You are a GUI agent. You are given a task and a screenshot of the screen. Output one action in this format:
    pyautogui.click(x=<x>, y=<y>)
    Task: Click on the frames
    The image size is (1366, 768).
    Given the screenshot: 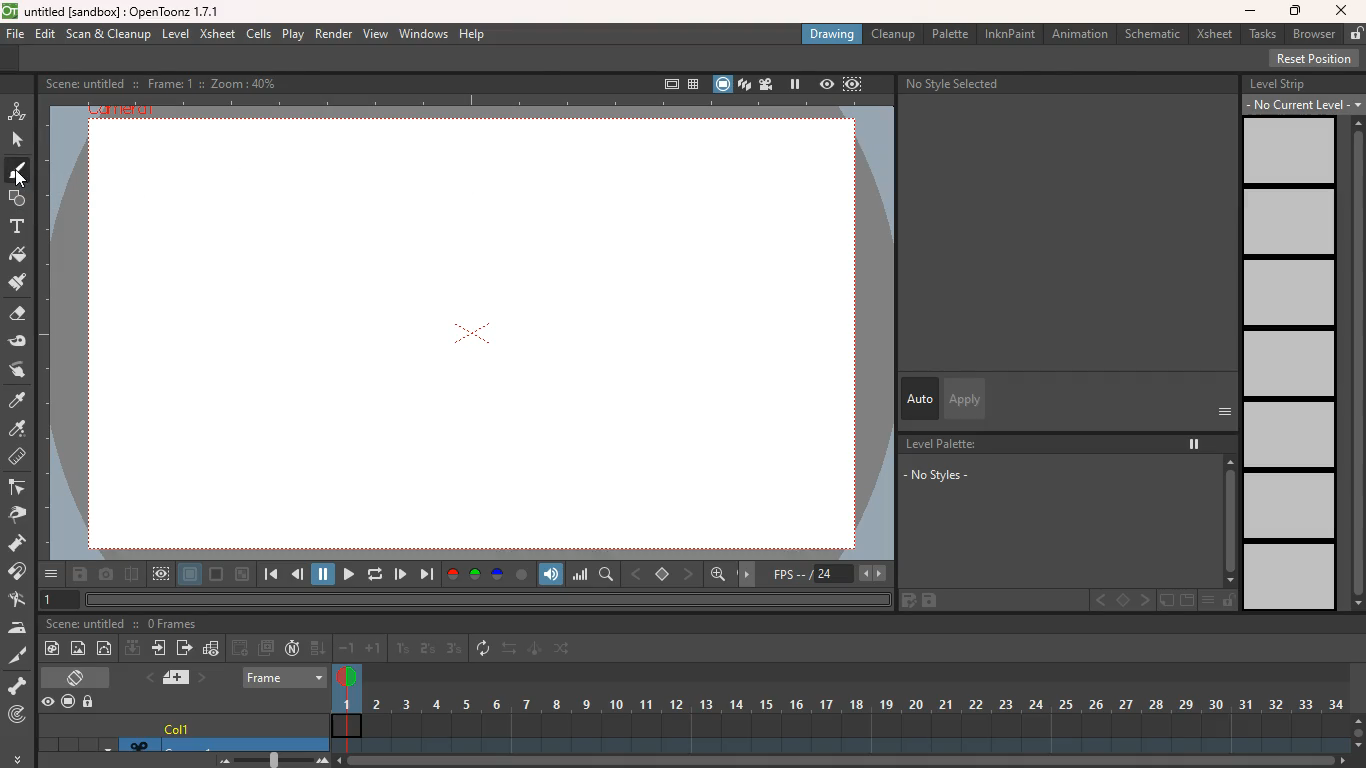 What is the action you would take?
    pyautogui.click(x=838, y=707)
    